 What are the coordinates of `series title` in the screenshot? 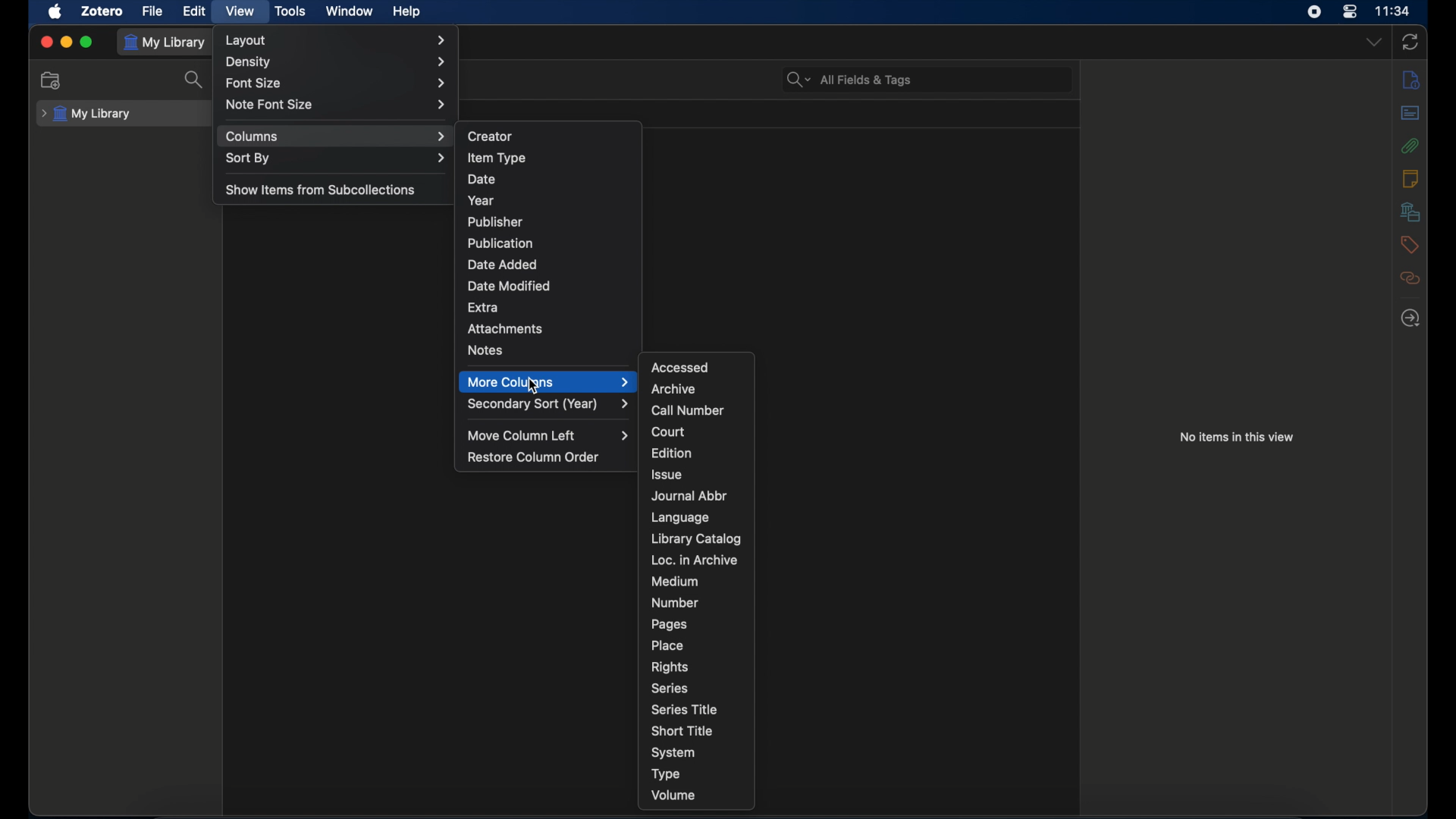 It's located at (683, 710).